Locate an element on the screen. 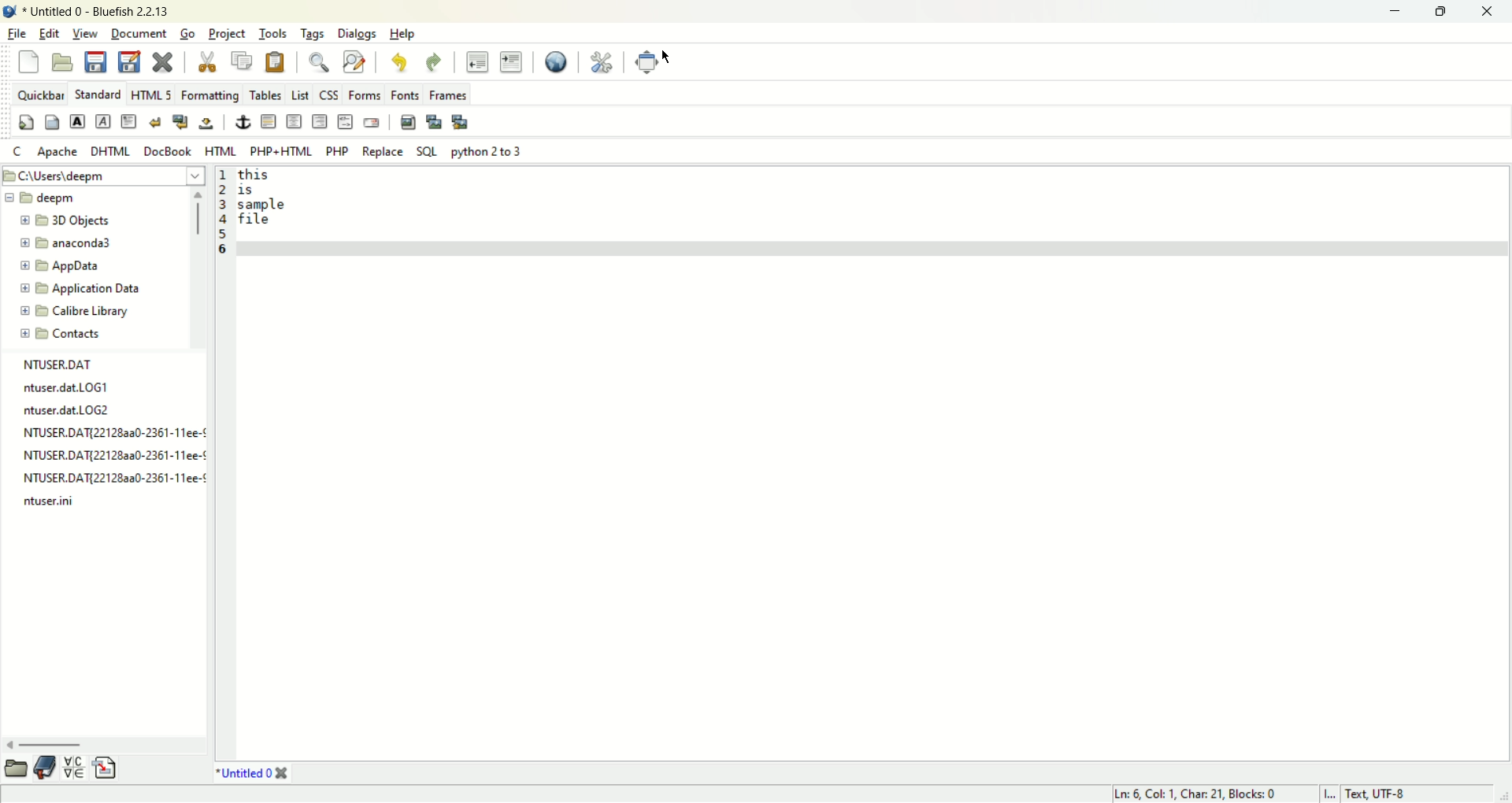 This screenshot has width=1512, height=803. deepm is located at coordinates (46, 199).